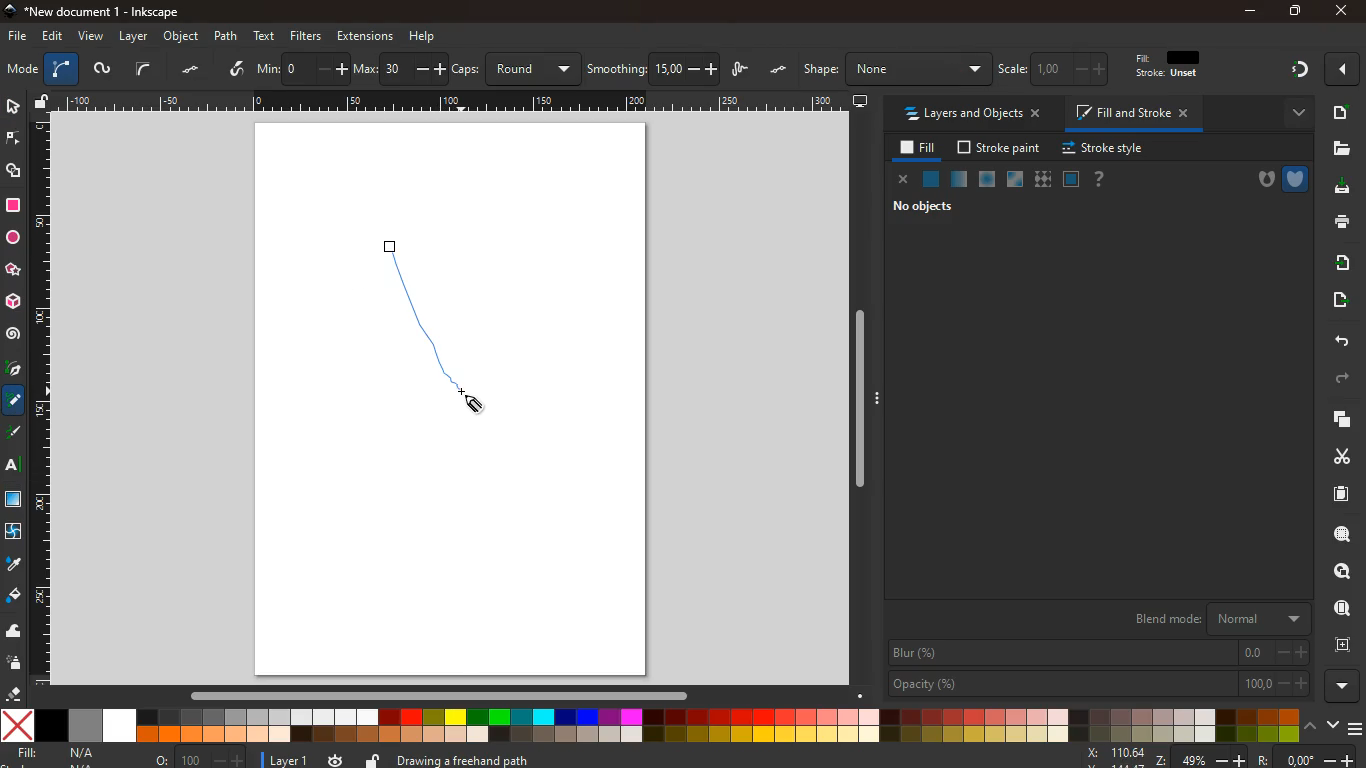  What do you see at coordinates (517, 69) in the screenshot?
I see `caps` at bounding box center [517, 69].